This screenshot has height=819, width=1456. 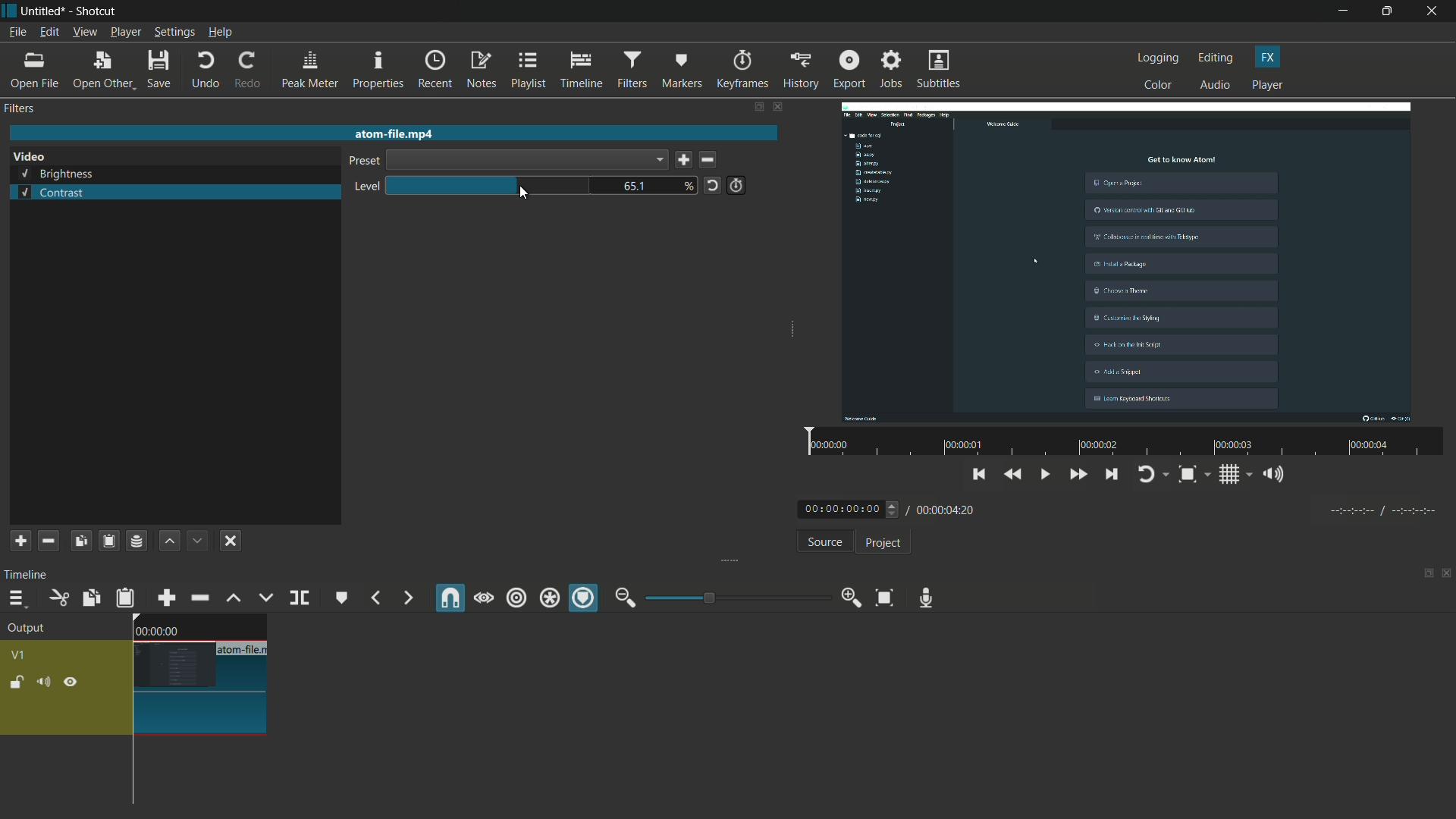 What do you see at coordinates (89, 598) in the screenshot?
I see `copy` at bounding box center [89, 598].